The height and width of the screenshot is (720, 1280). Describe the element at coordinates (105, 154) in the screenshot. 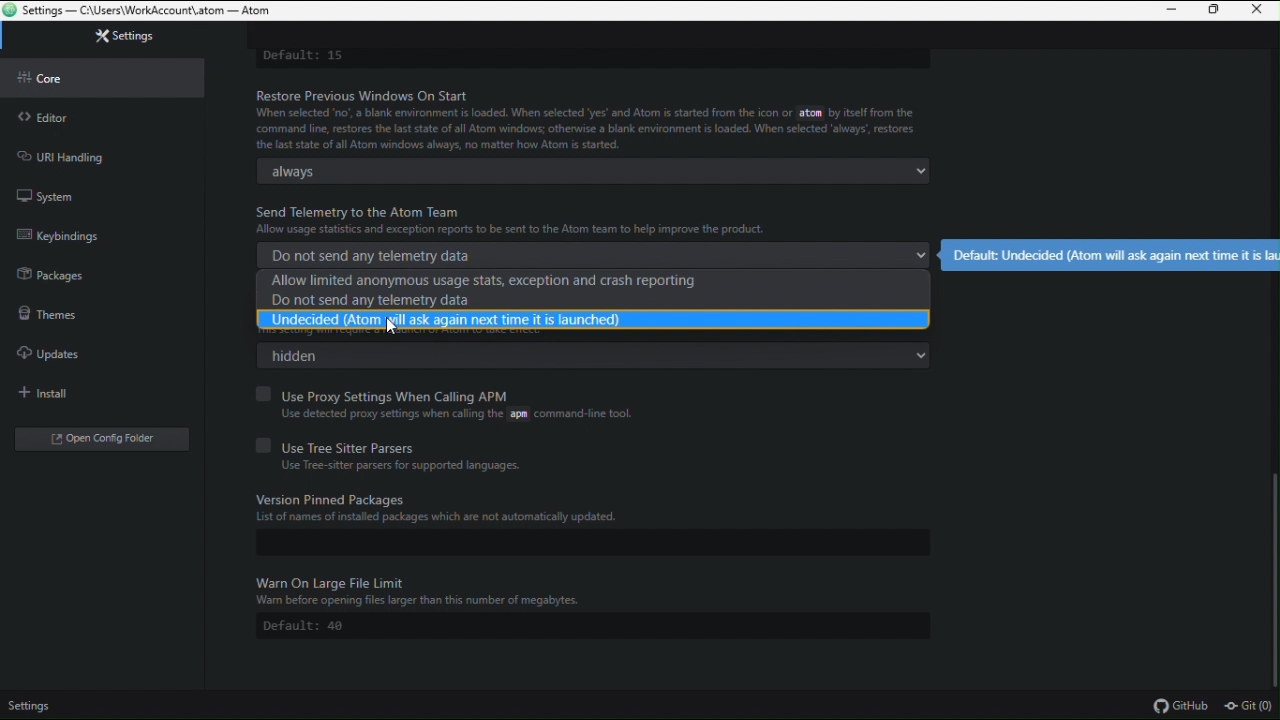

I see `url handling` at that location.